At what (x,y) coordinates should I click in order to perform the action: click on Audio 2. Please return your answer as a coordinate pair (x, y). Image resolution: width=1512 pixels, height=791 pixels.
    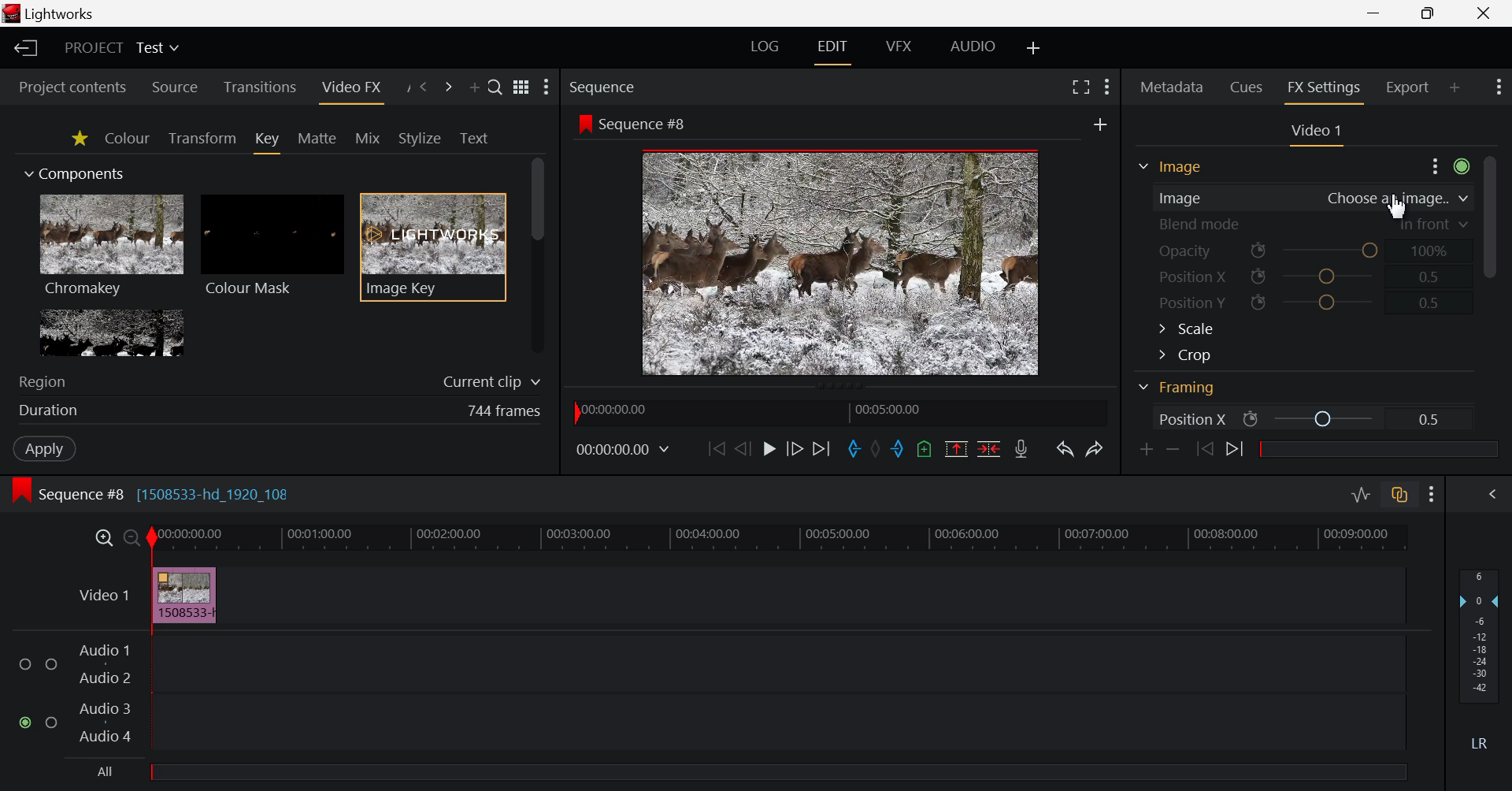
    Looking at the image, I should click on (104, 679).